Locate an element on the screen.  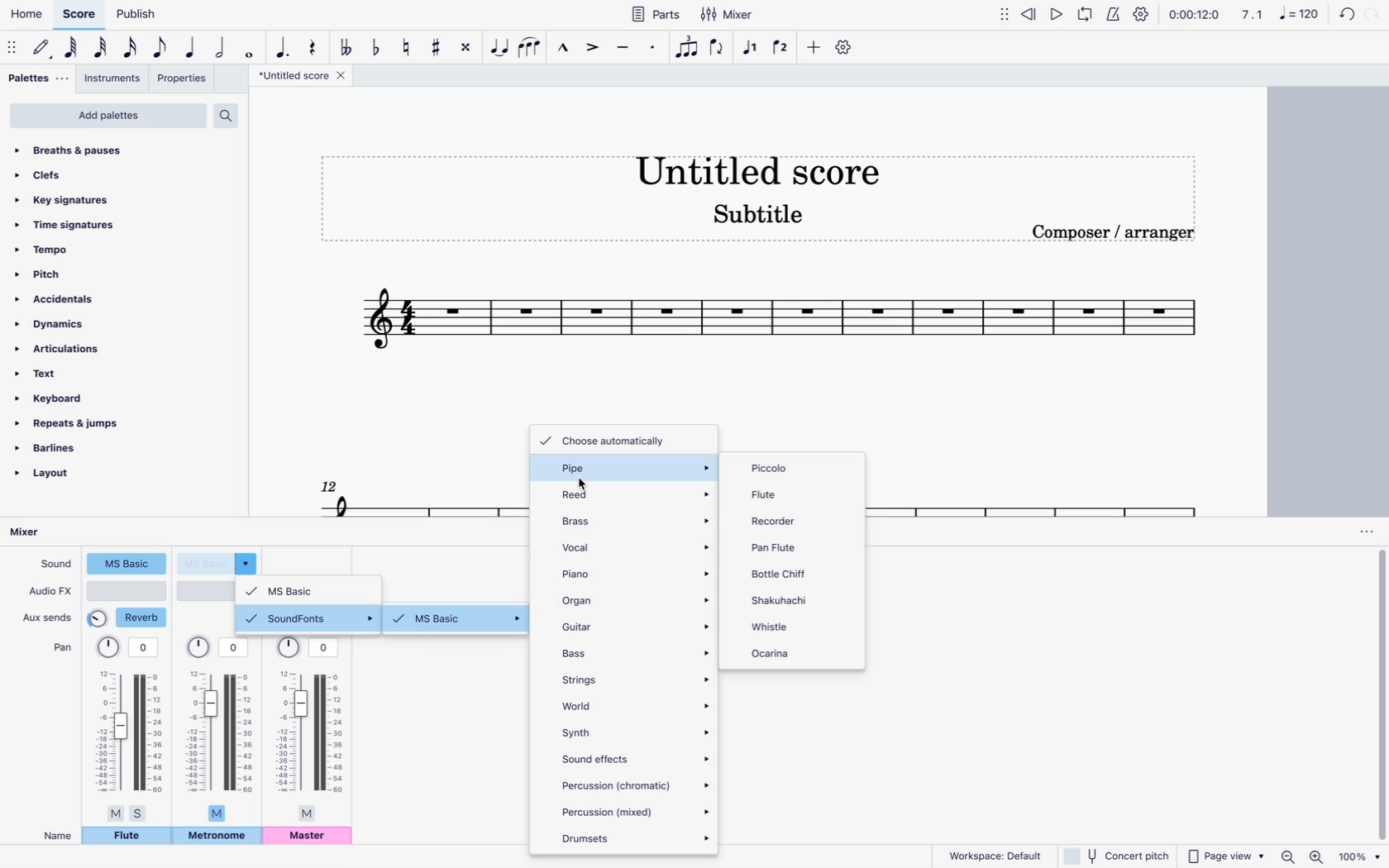
mixer is located at coordinates (728, 15).